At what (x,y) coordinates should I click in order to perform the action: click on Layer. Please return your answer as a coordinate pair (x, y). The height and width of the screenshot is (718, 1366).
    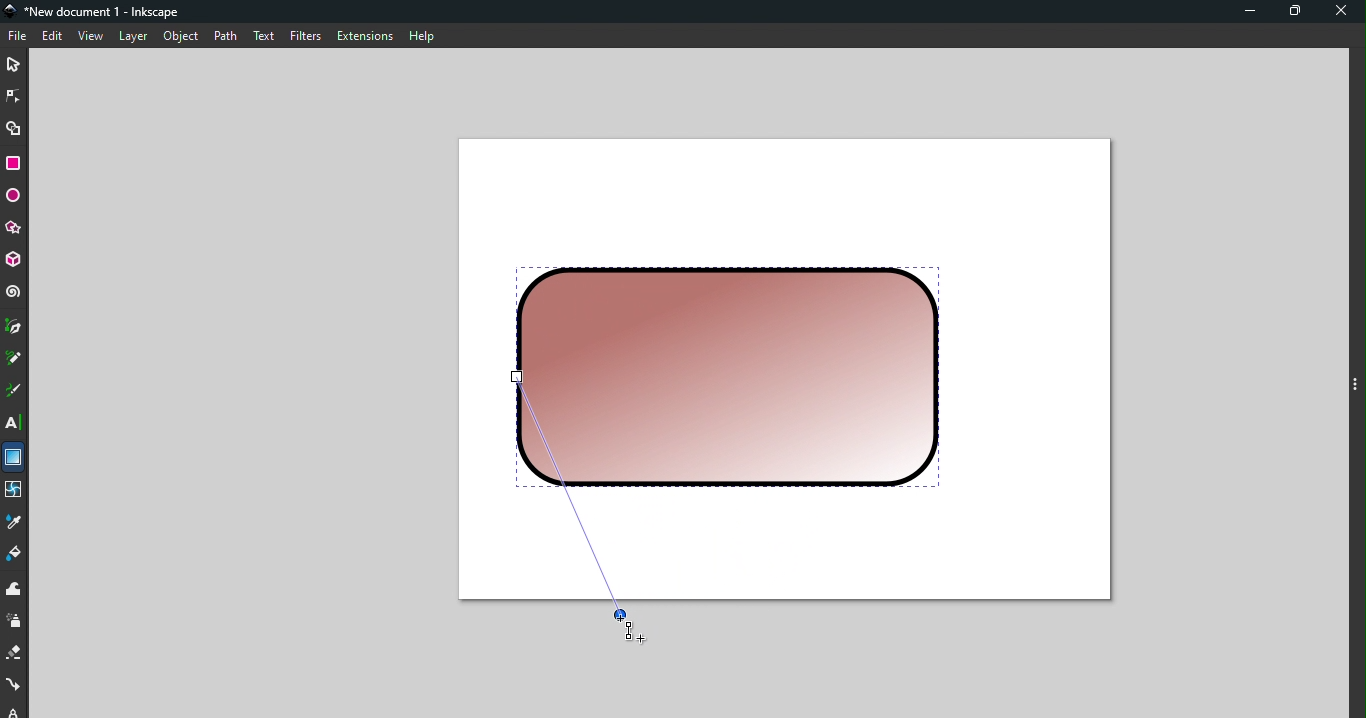
    Looking at the image, I should click on (133, 37).